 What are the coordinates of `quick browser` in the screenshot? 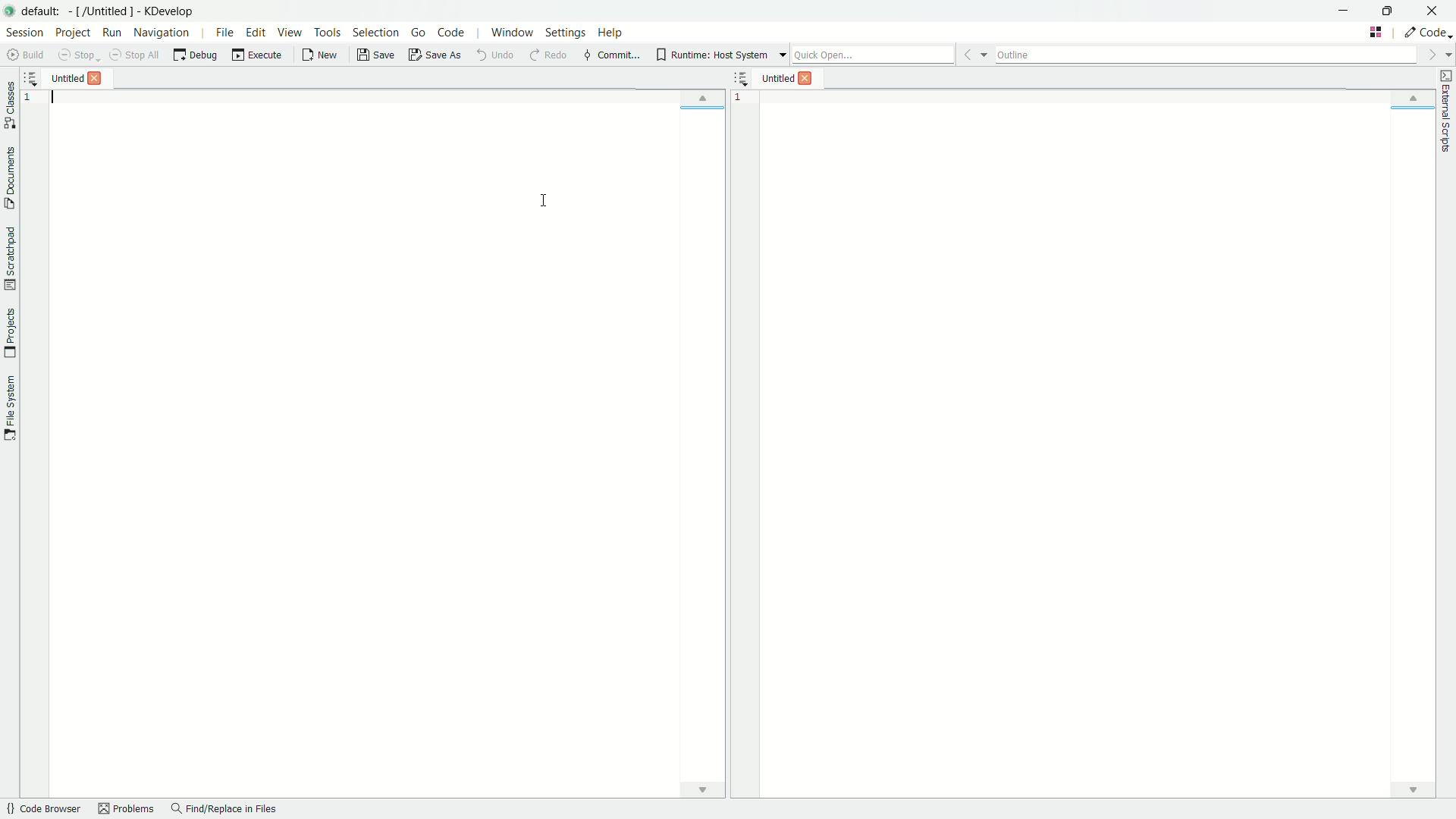 It's located at (44, 808).